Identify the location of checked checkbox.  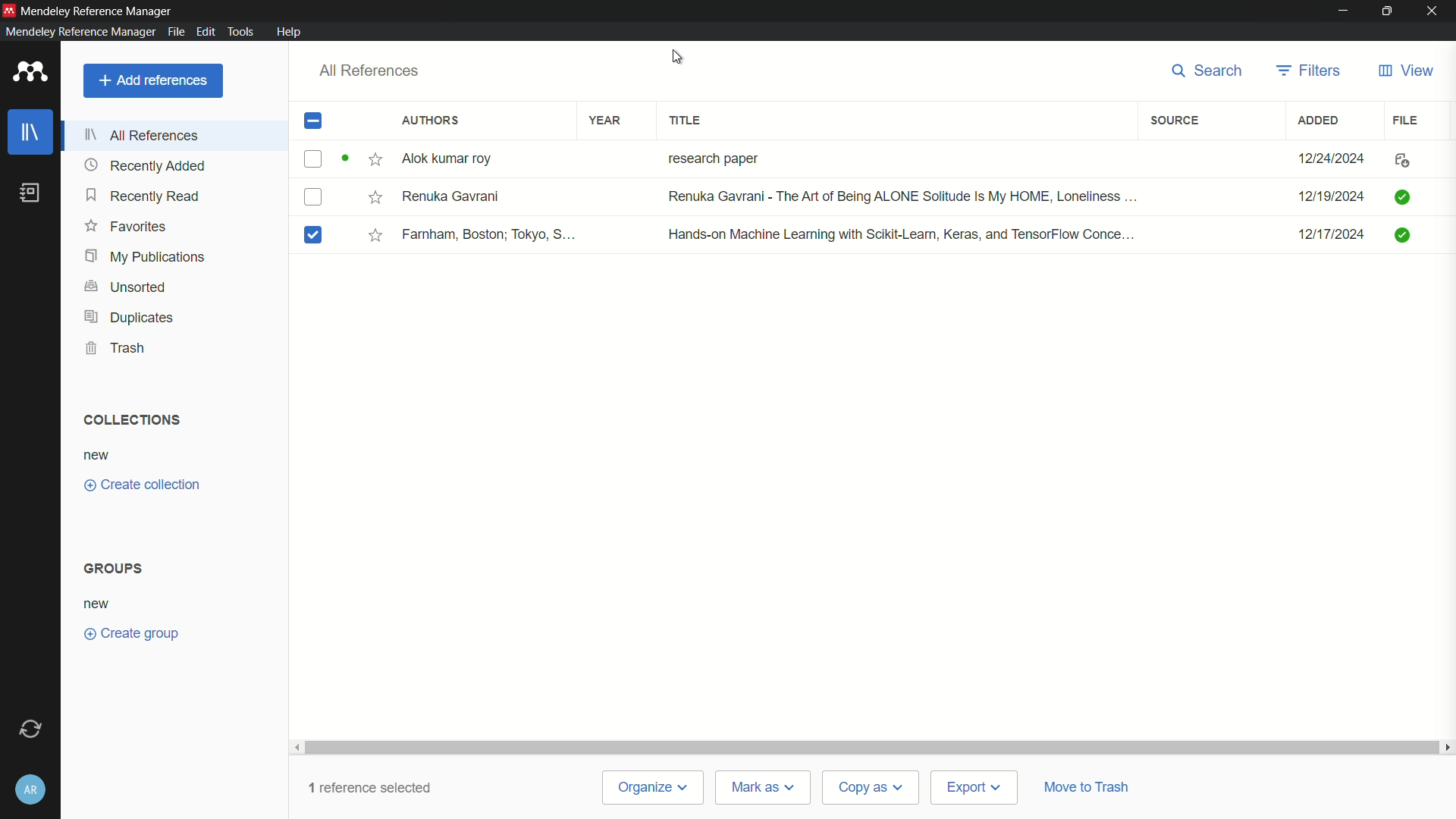
(312, 235).